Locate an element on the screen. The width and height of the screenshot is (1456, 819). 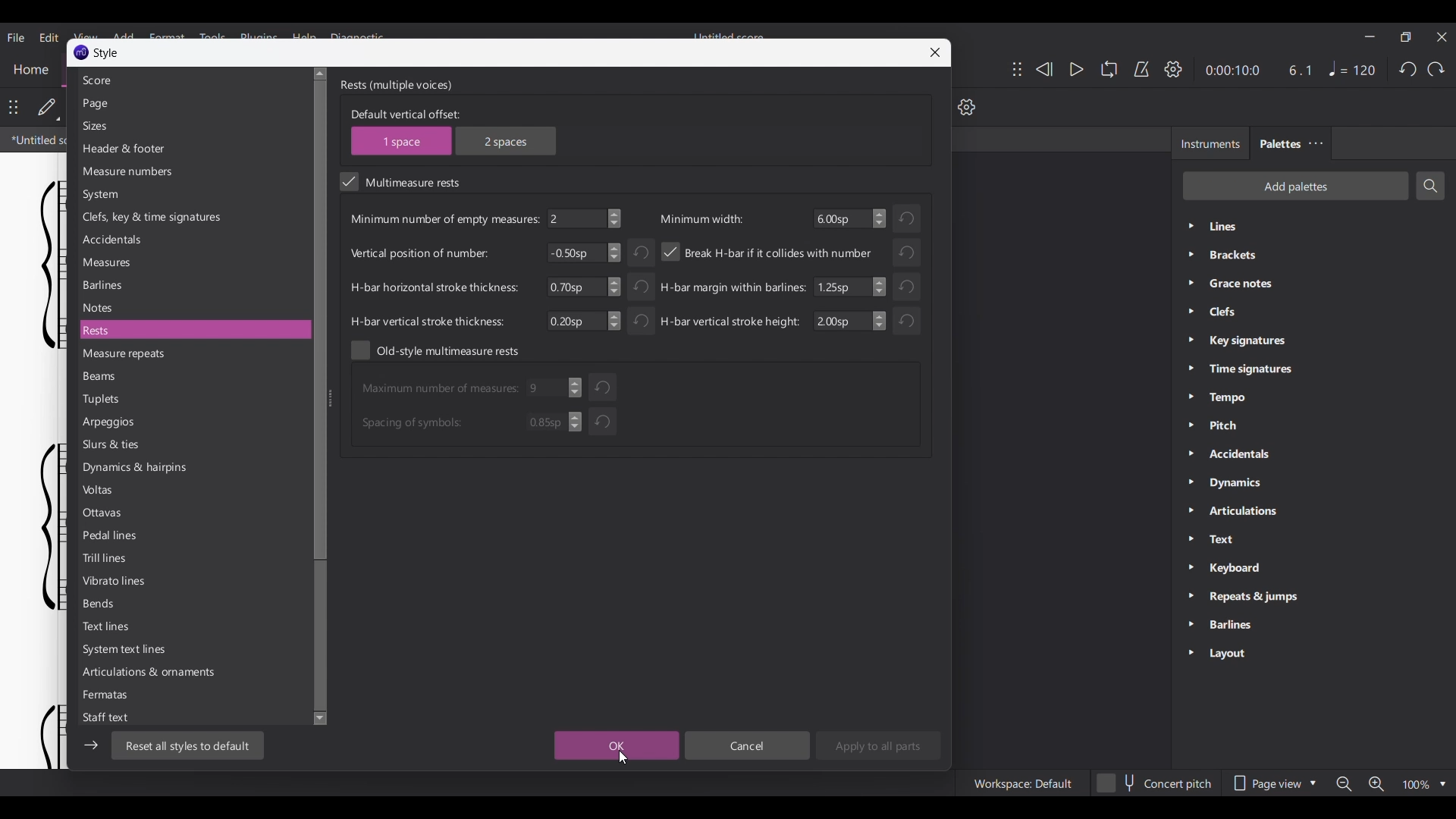
Close/Undock Palette tab is located at coordinates (1316, 143).